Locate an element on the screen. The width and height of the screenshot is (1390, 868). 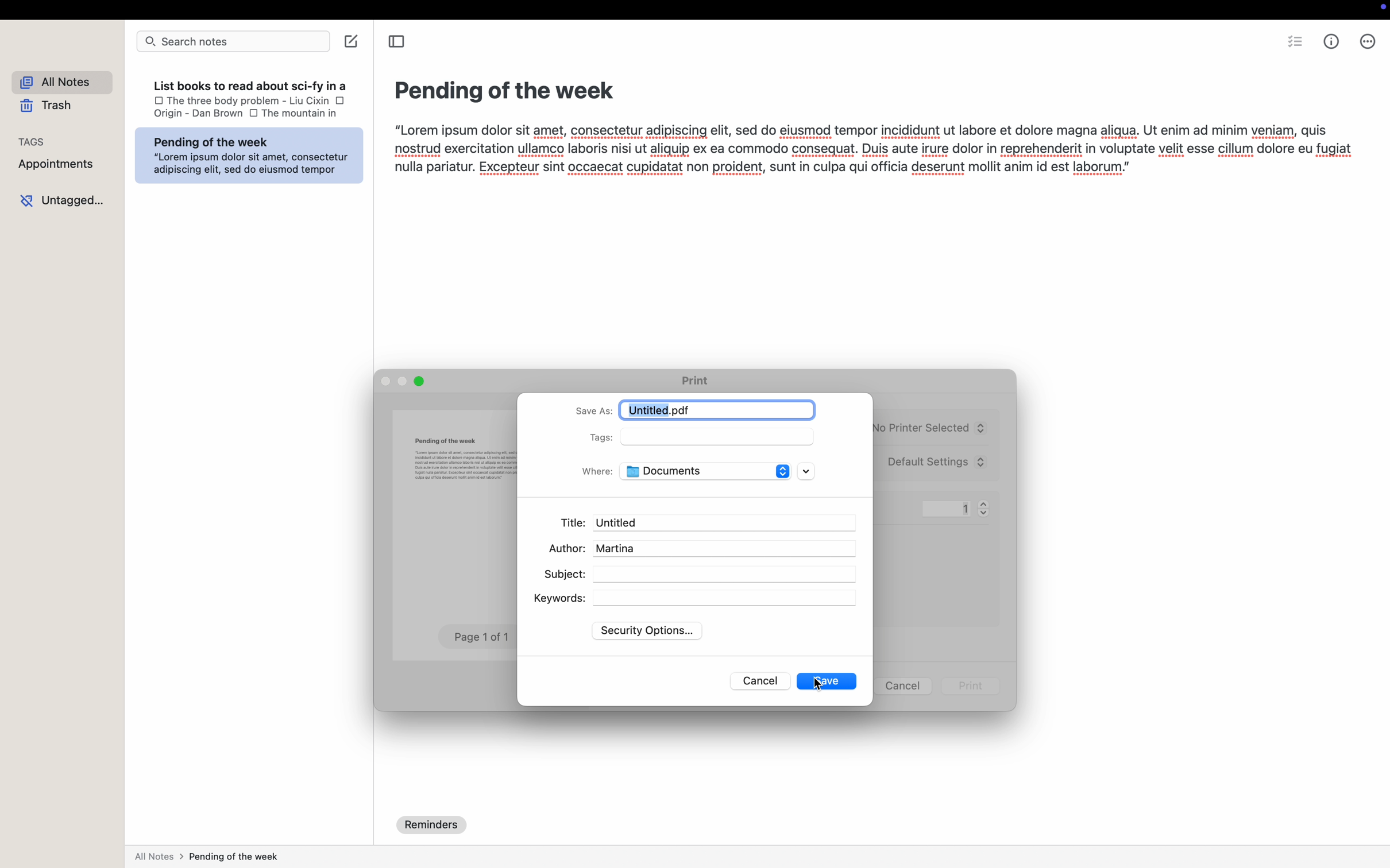
untagged is located at coordinates (64, 201).